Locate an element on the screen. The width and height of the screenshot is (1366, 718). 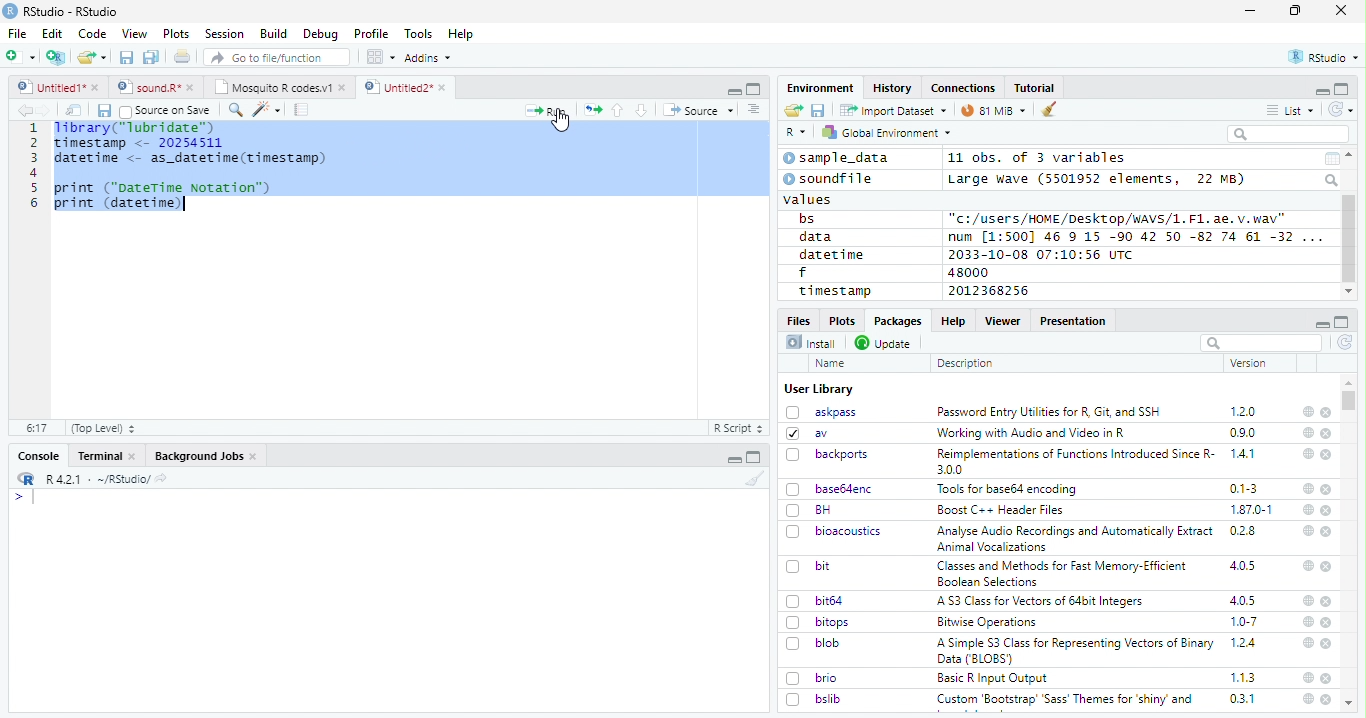
Basic R Input Output is located at coordinates (995, 678).